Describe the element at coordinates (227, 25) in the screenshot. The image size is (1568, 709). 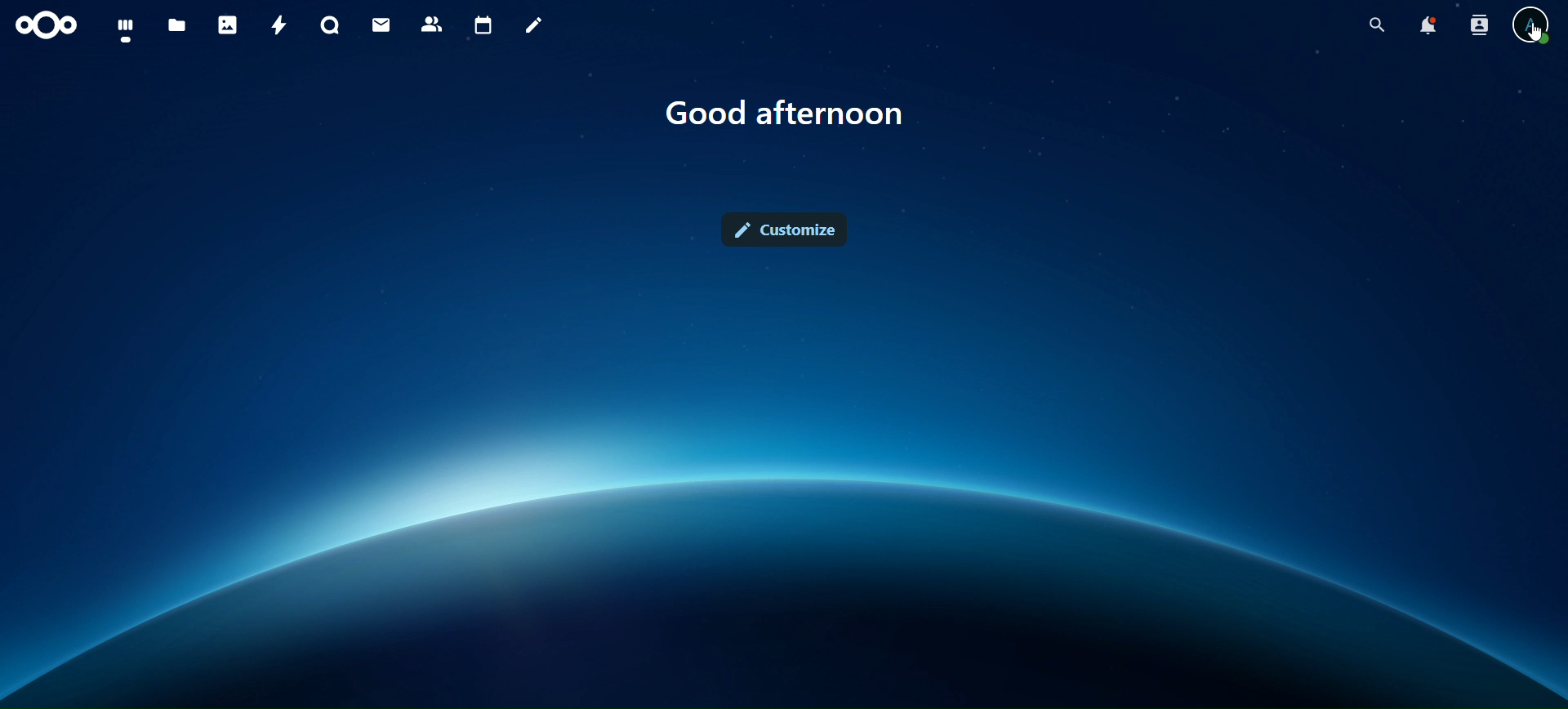
I see `photos` at that location.